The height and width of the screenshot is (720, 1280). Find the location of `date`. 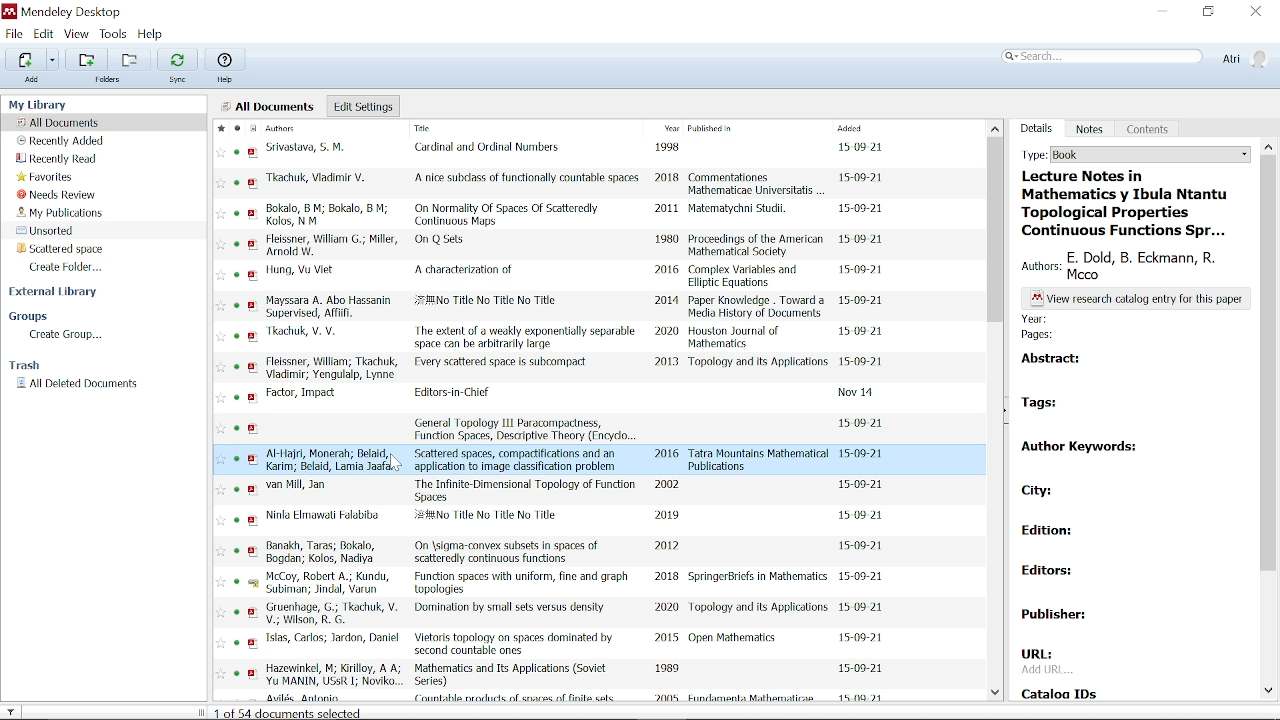

date is located at coordinates (863, 608).